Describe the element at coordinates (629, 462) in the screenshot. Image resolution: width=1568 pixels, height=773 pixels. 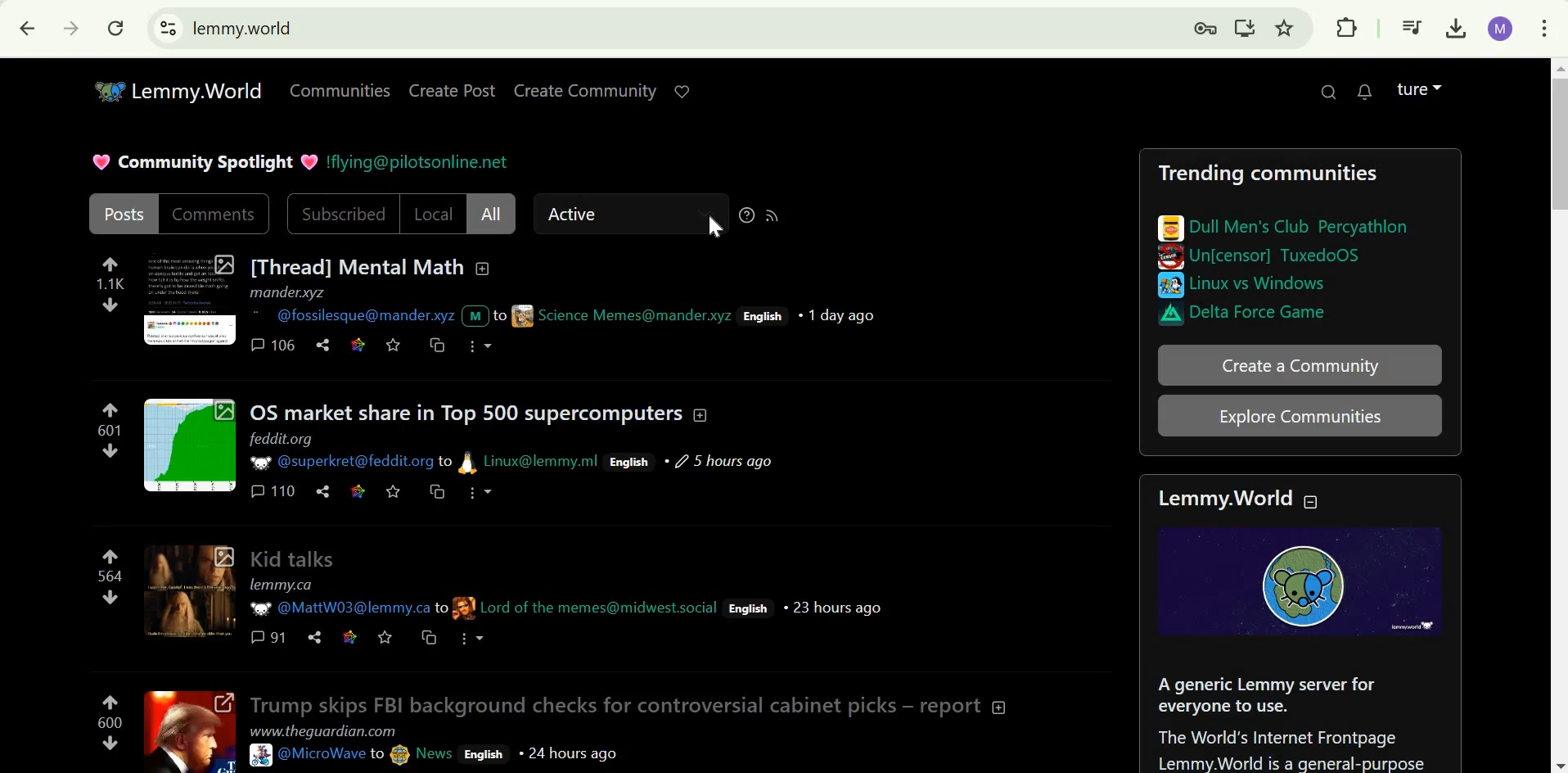
I see `English` at that location.